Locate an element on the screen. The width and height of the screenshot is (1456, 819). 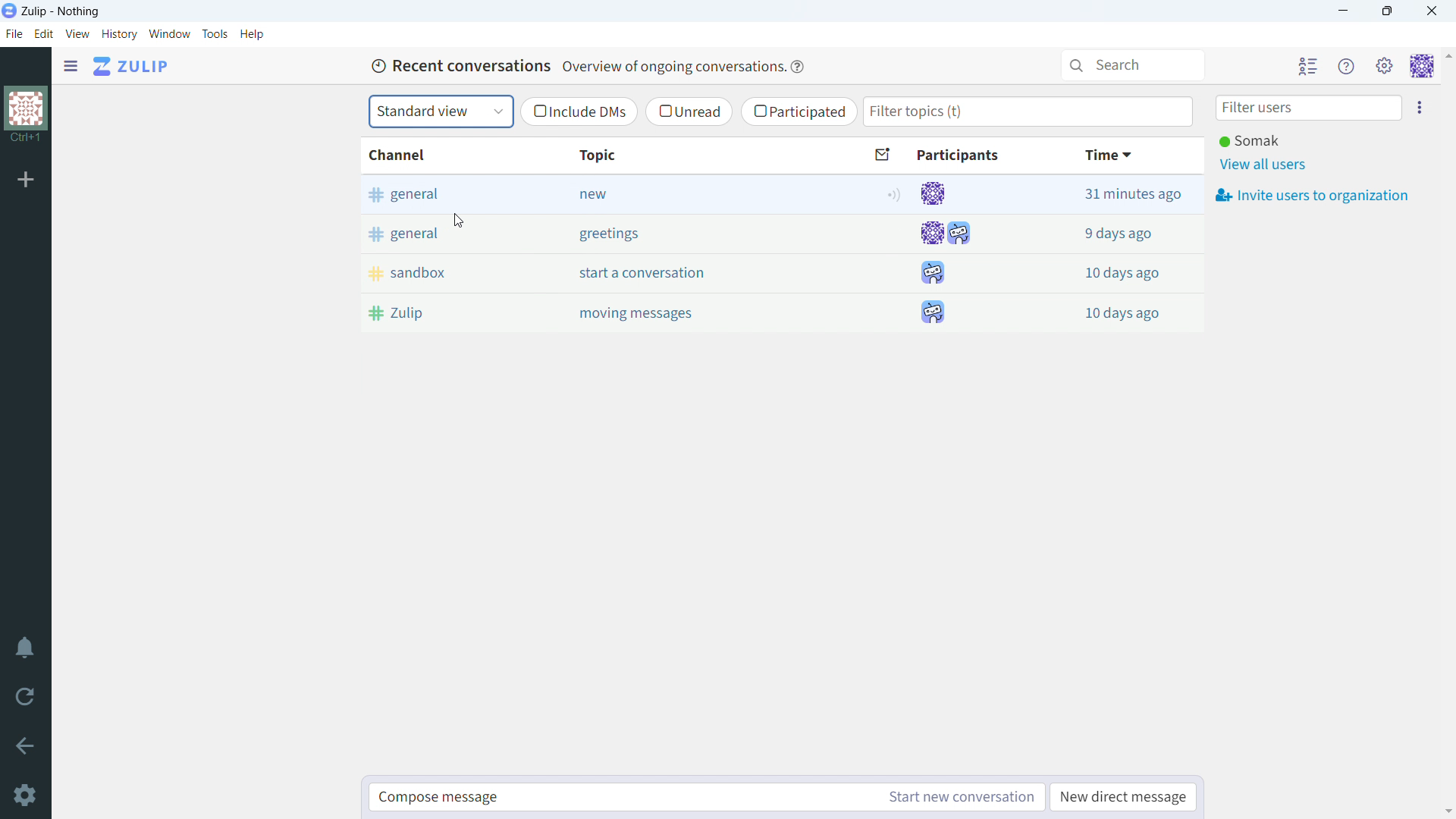
file is located at coordinates (14, 34).